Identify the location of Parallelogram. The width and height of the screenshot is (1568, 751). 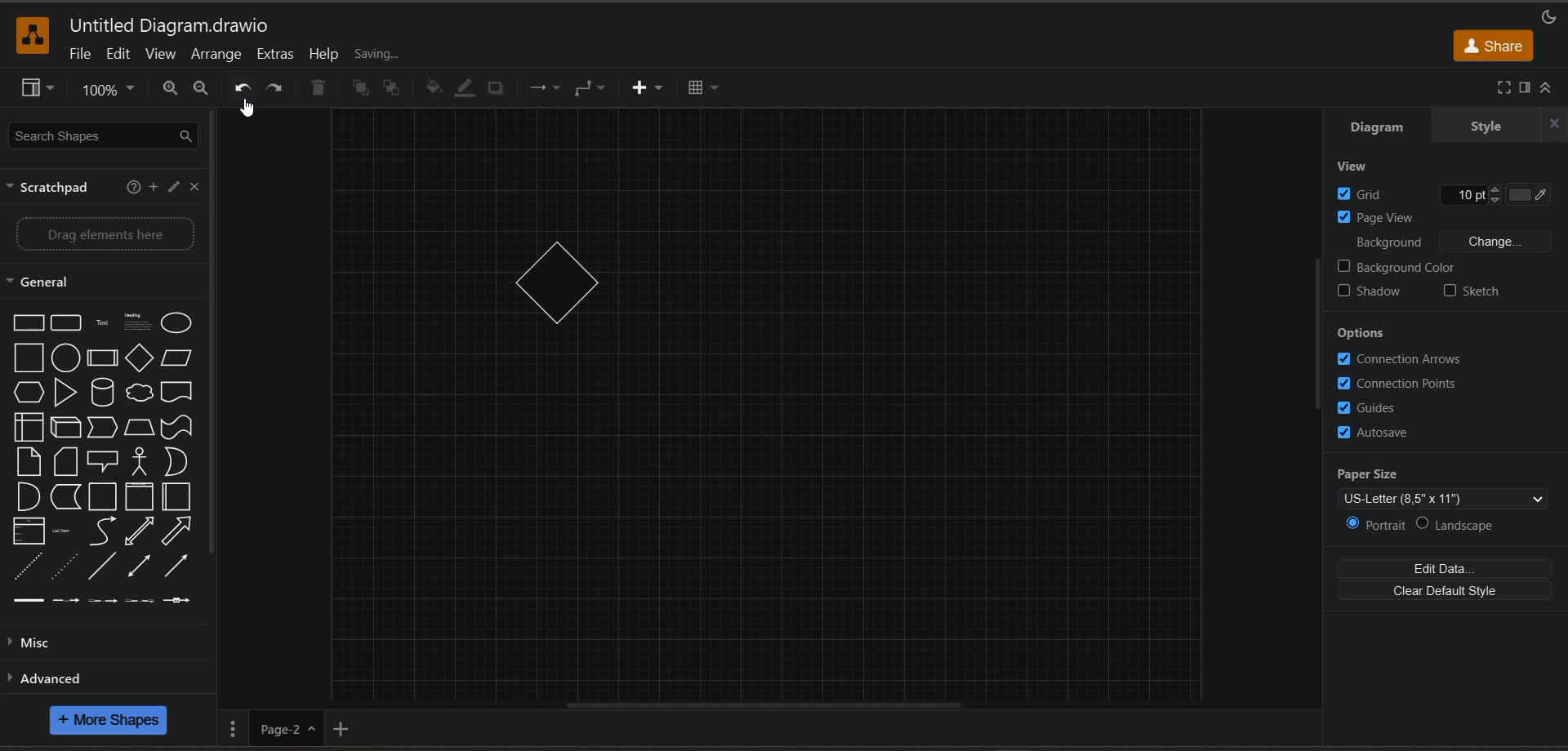
(177, 357).